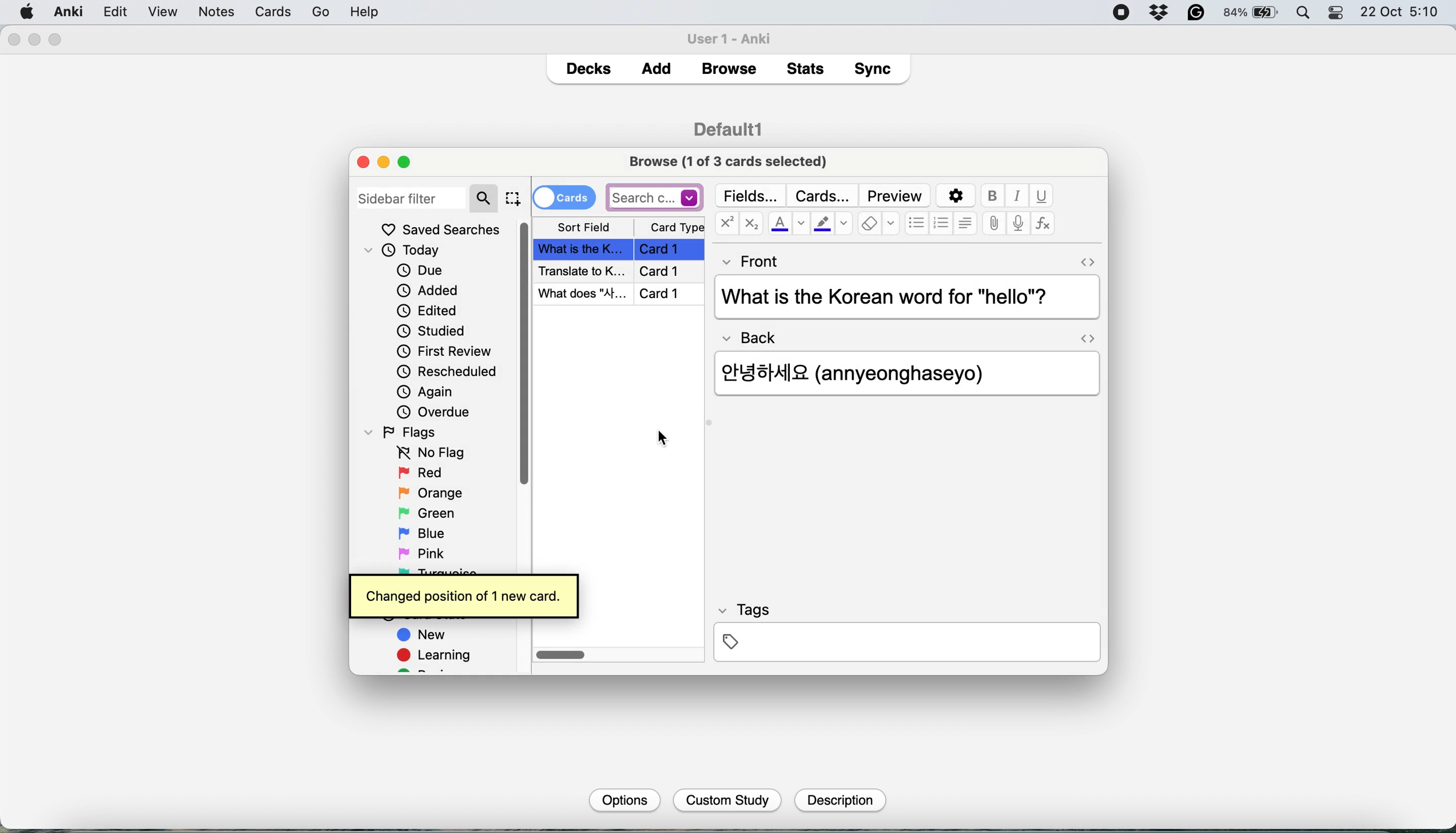 The height and width of the screenshot is (833, 1456). What do you see at coordinates (659, 443) in the screenshot?
I see `cursor` at bounding box center [659, 443].